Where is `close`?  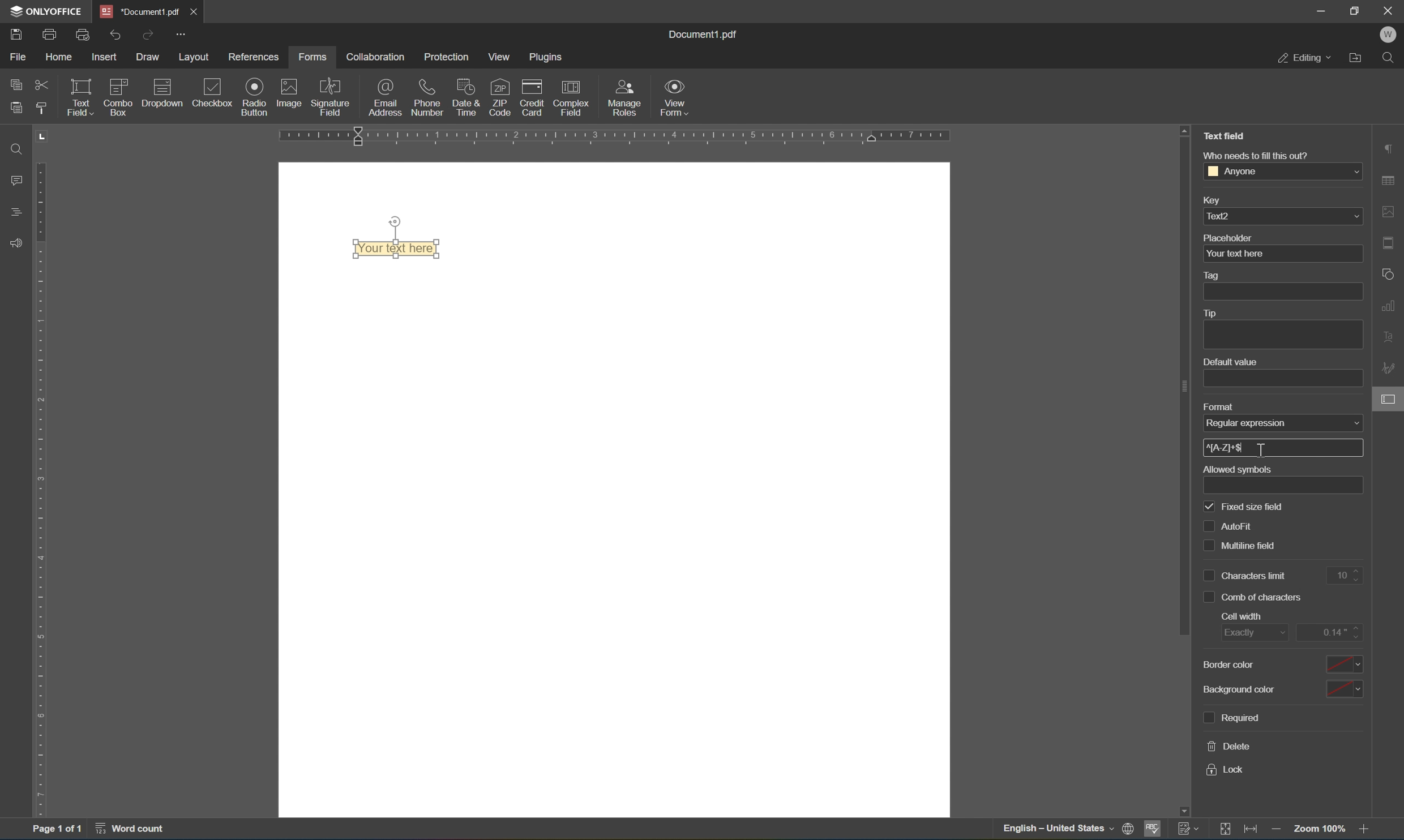 close is located at coordinates (1391, 9).